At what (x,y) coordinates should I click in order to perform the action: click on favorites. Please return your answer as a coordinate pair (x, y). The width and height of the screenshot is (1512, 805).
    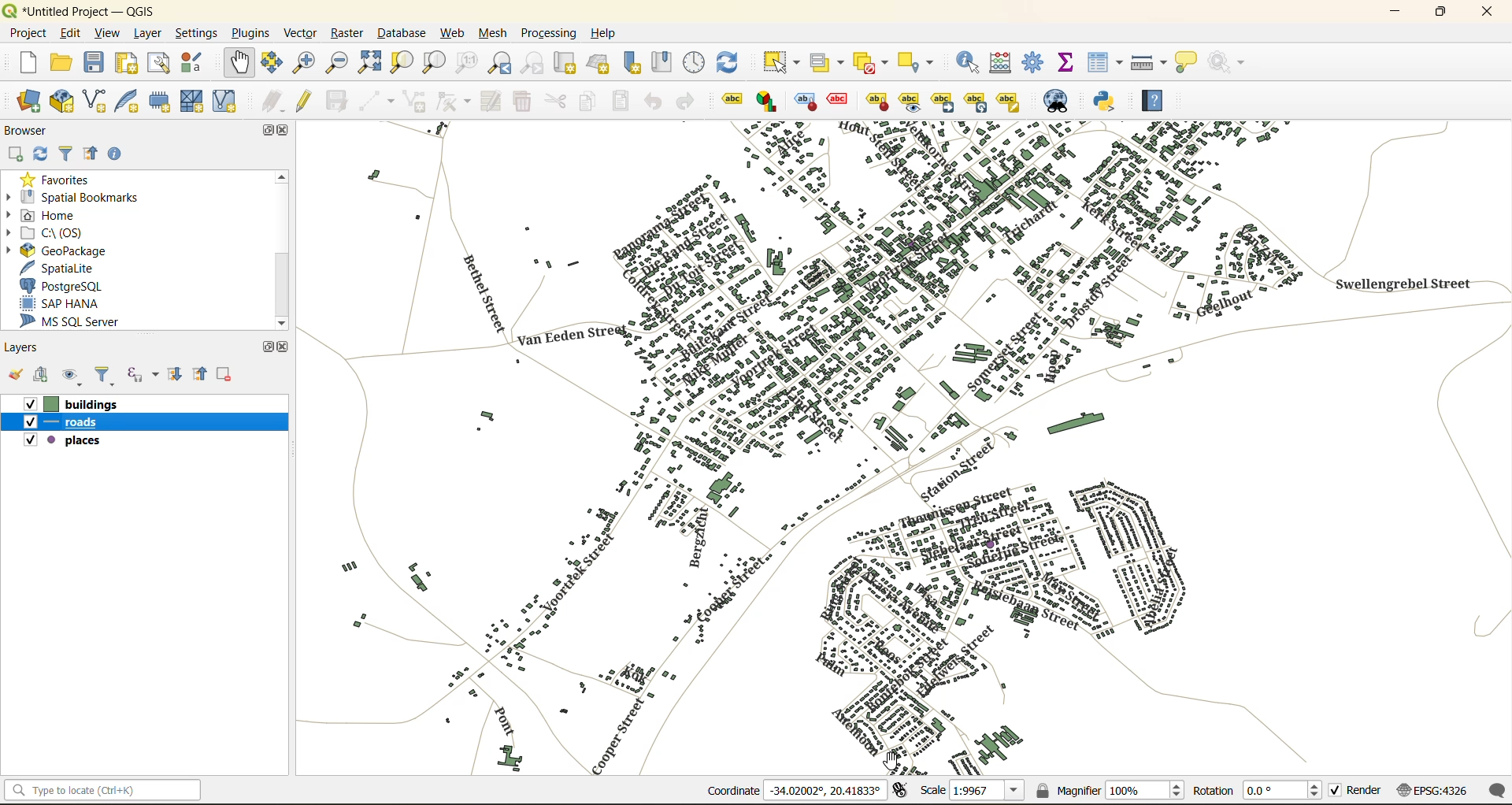
    Looking at the image, I should click on (59, 181).